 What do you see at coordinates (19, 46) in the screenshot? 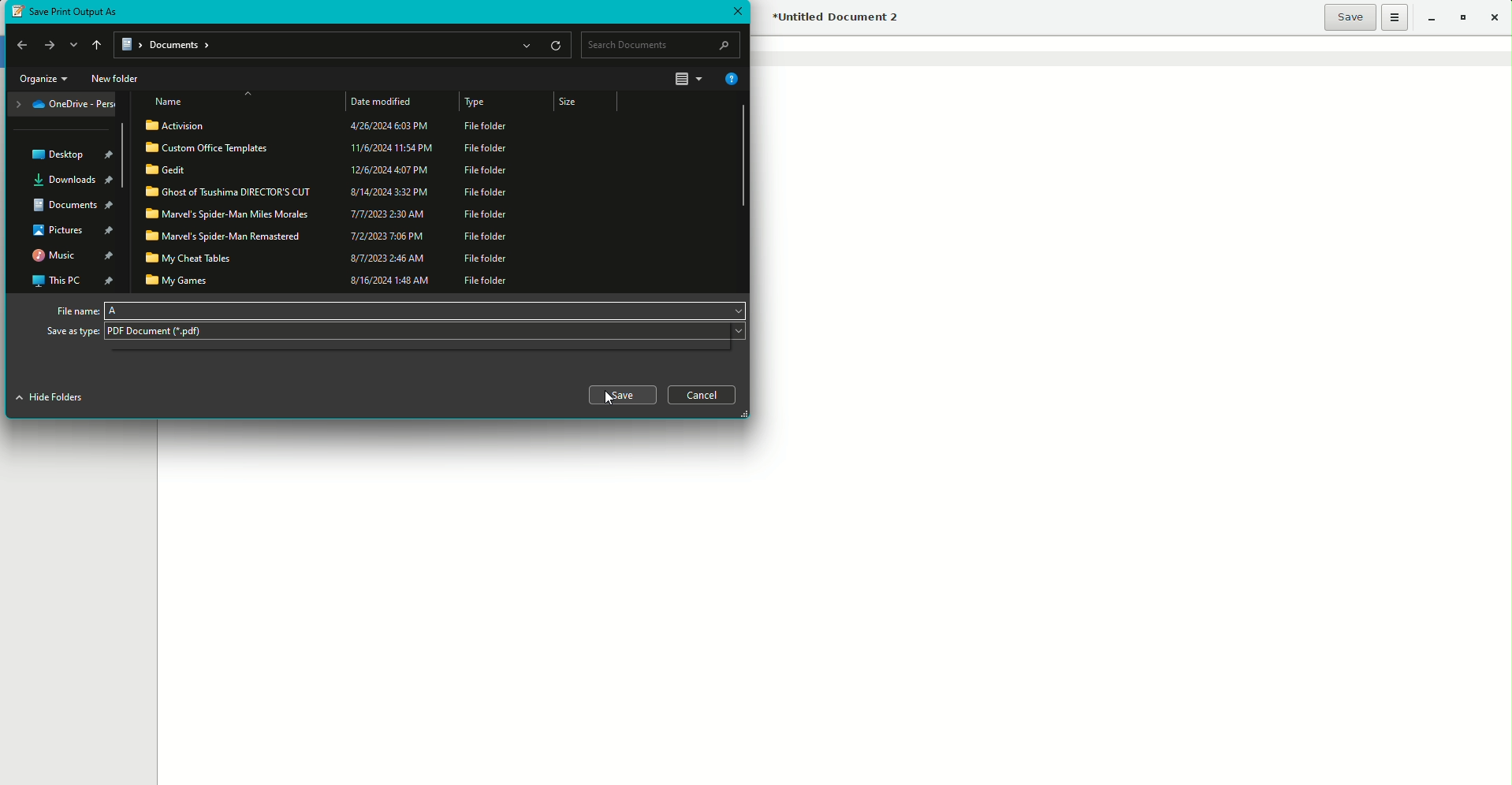
I see `Back` at bounding box center [19, 46].